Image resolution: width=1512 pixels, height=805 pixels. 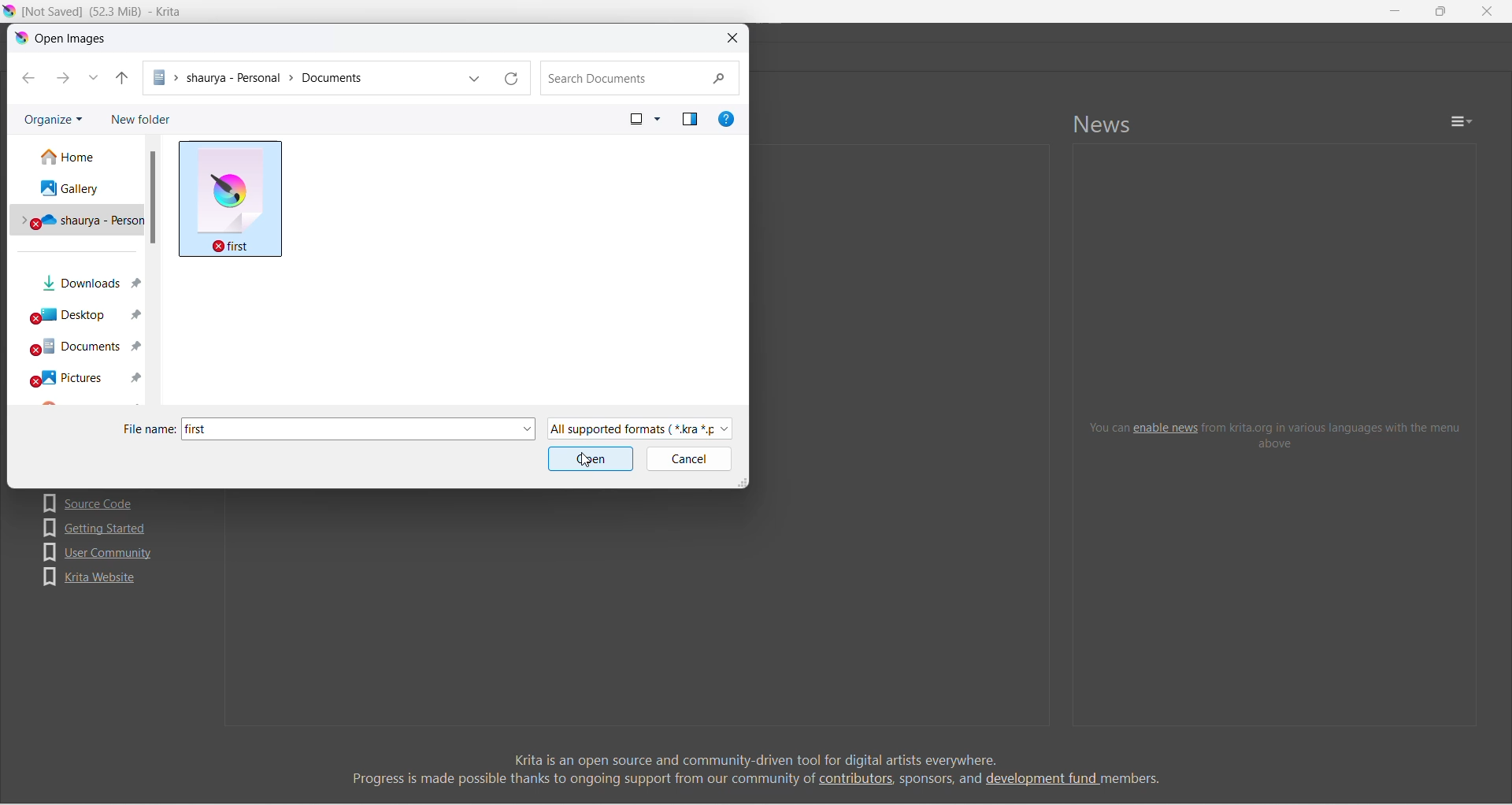 I want to click on refresh, so click(x=513, y=78).